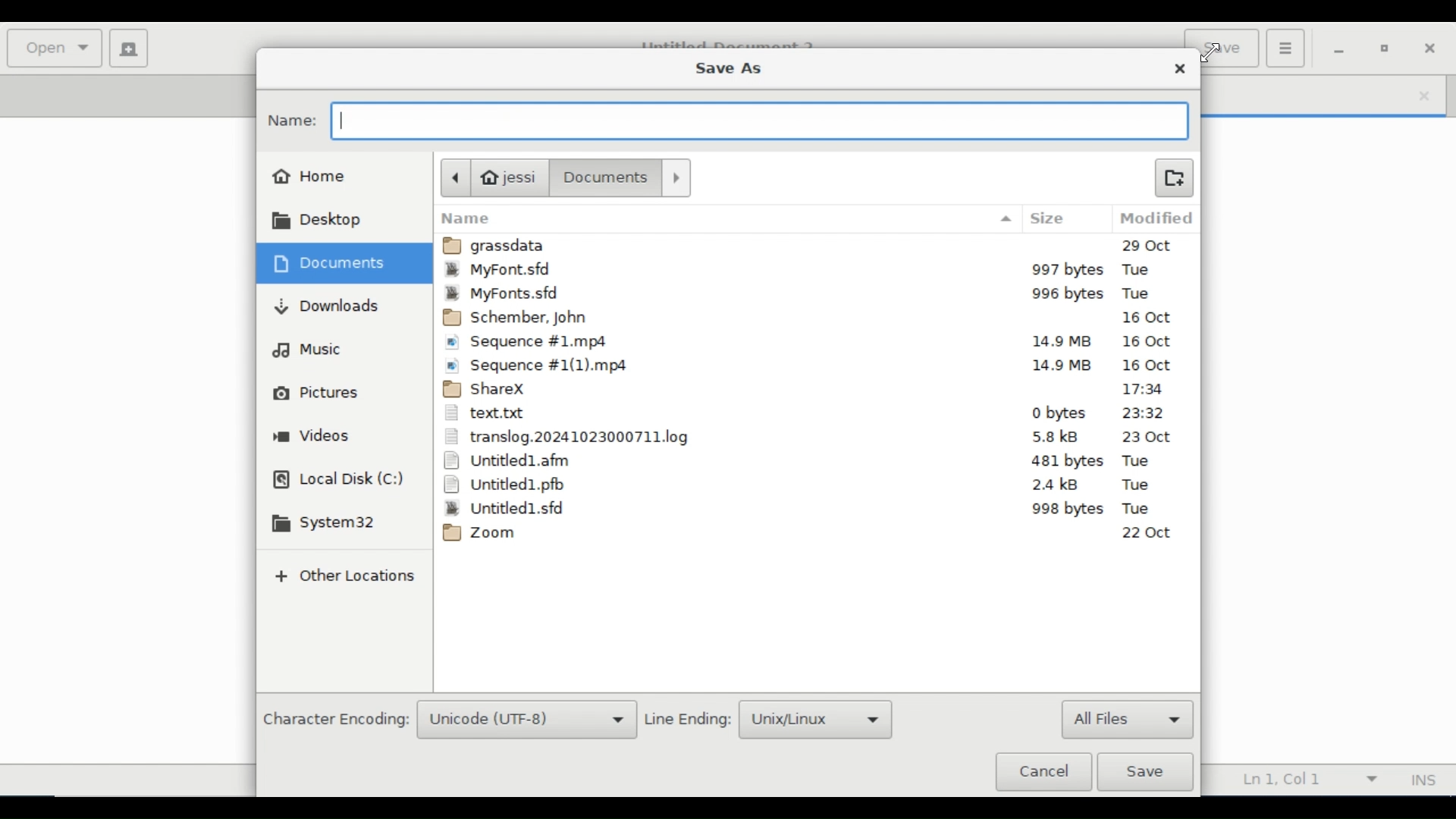  I want to click on Sequence #1mp4 14.9 MB 16Oct, so click(813, 344).